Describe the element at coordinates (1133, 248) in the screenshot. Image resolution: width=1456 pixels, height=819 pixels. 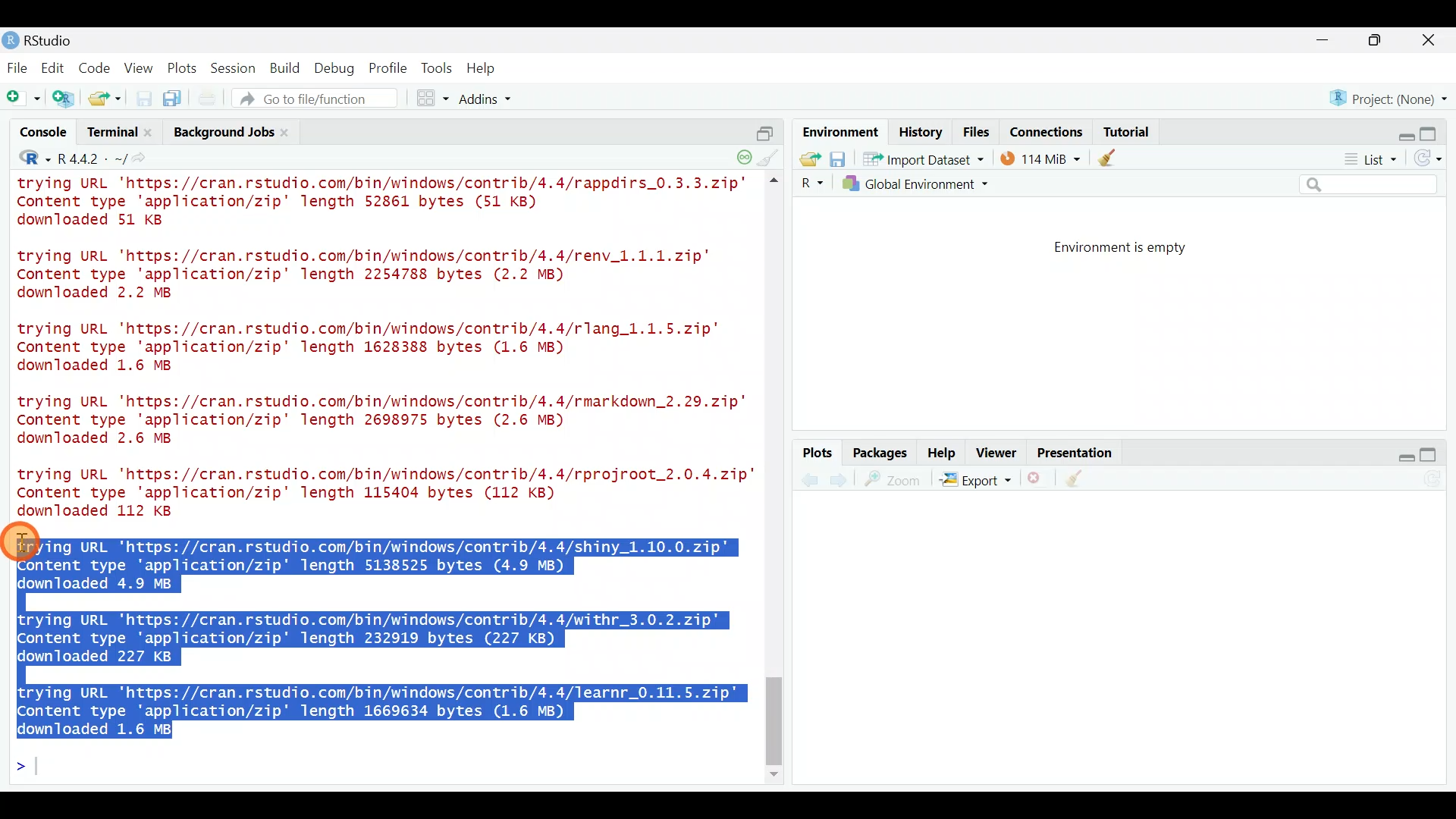
I see `Environment is empty` at that location.